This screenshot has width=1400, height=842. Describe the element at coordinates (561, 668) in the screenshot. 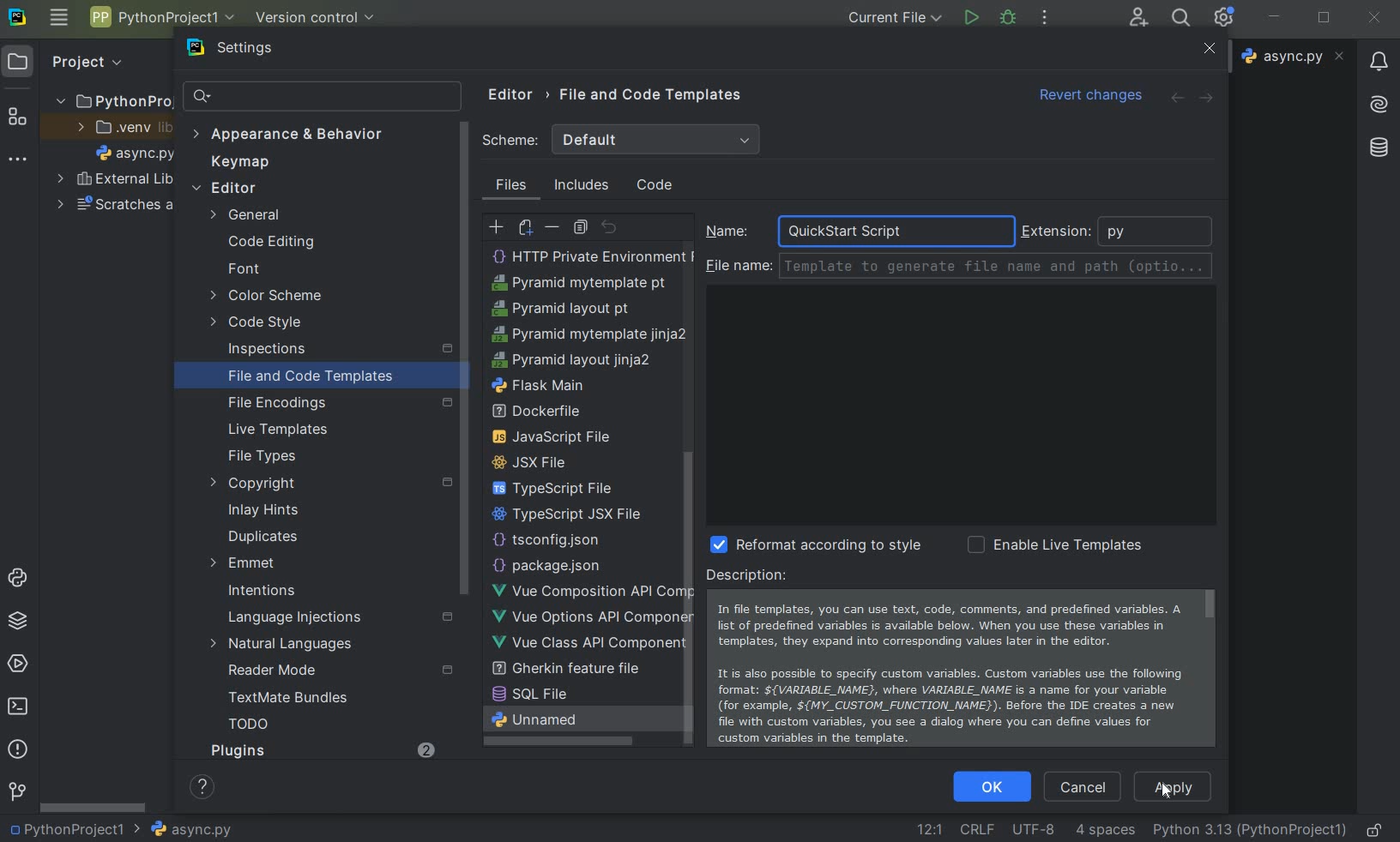

I see `pyramid layout pt` at that location.